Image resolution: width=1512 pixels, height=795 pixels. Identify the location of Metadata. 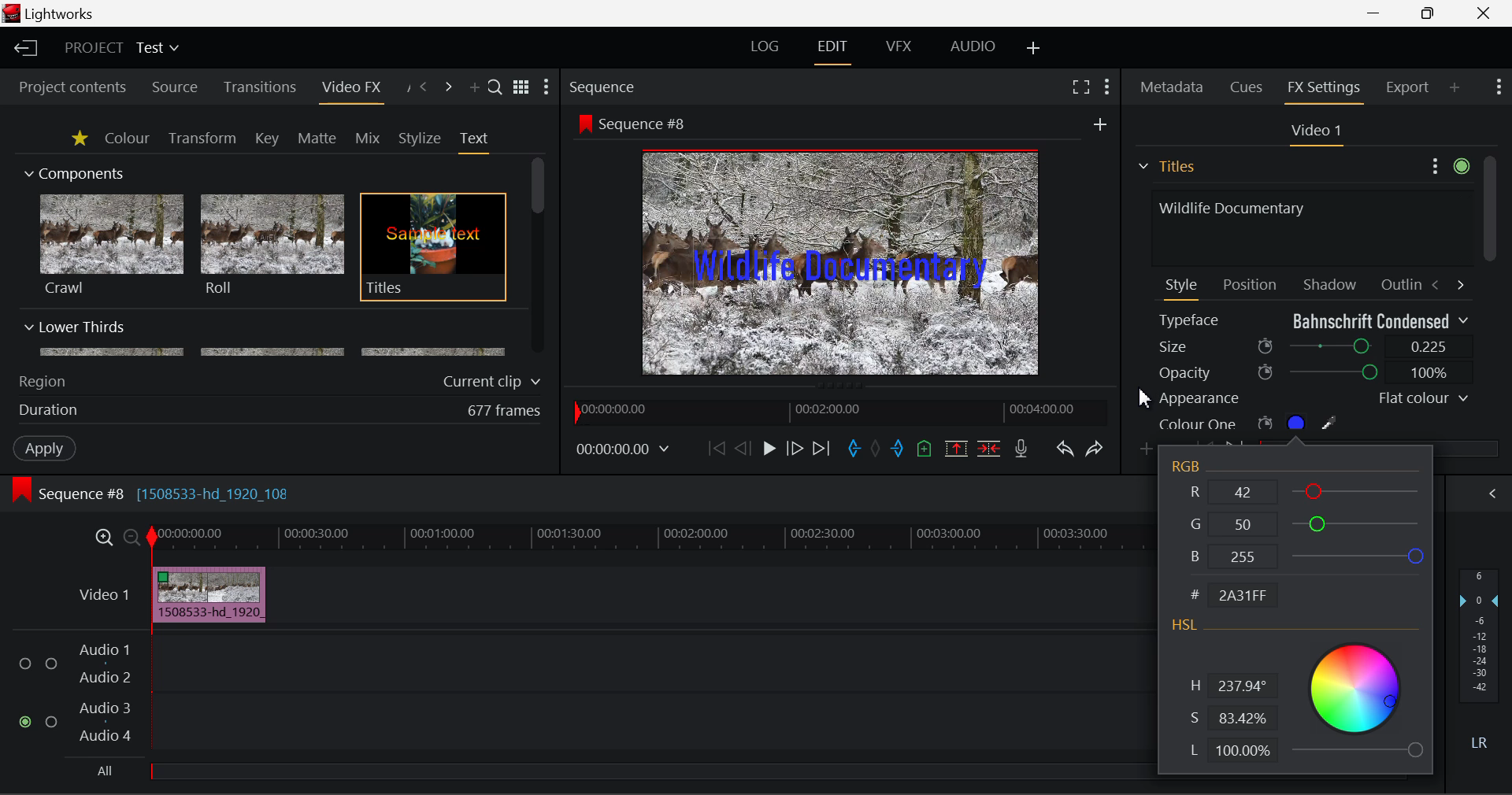
(1173, 89).